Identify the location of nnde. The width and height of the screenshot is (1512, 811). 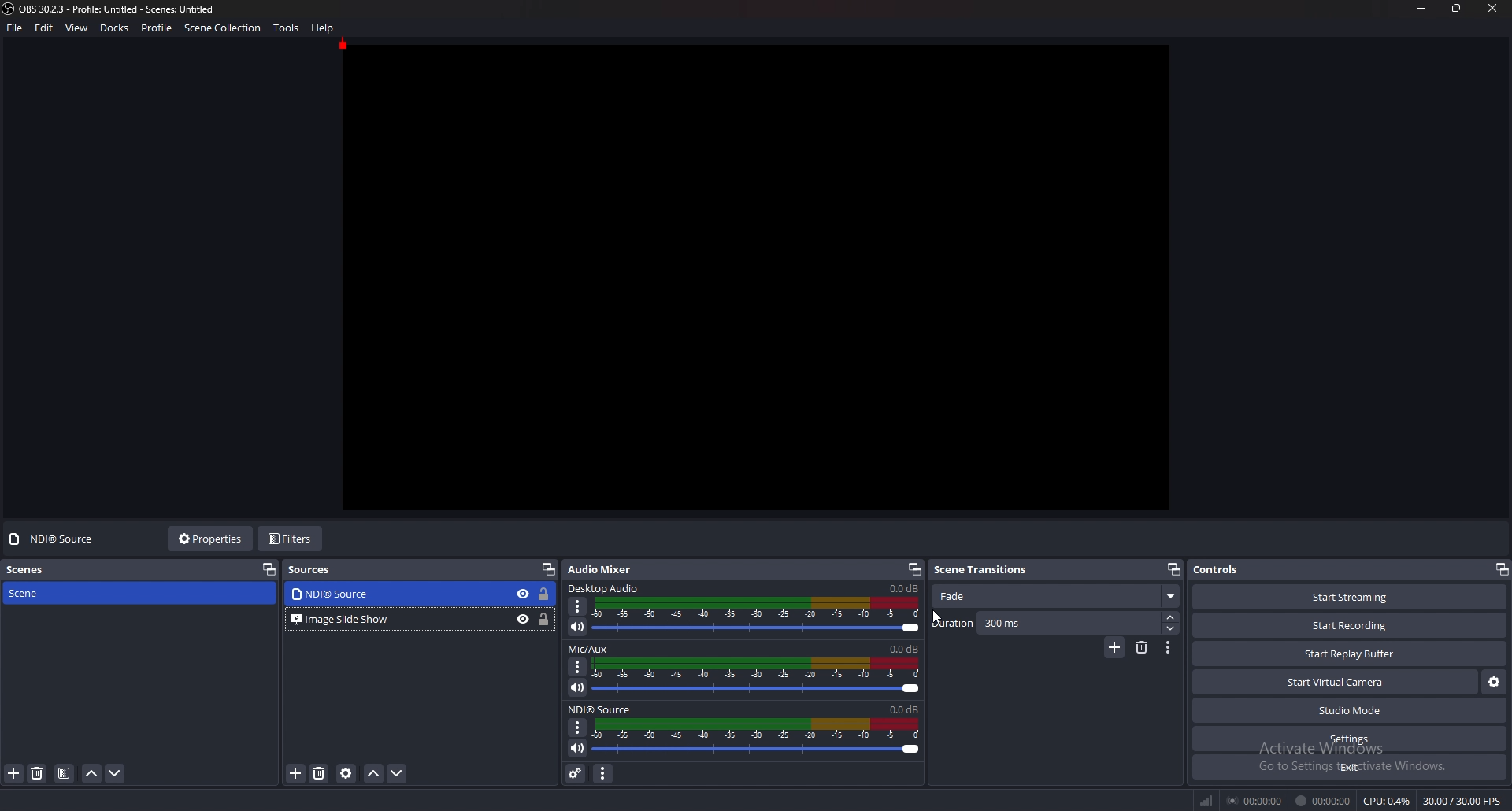
(903, 708).